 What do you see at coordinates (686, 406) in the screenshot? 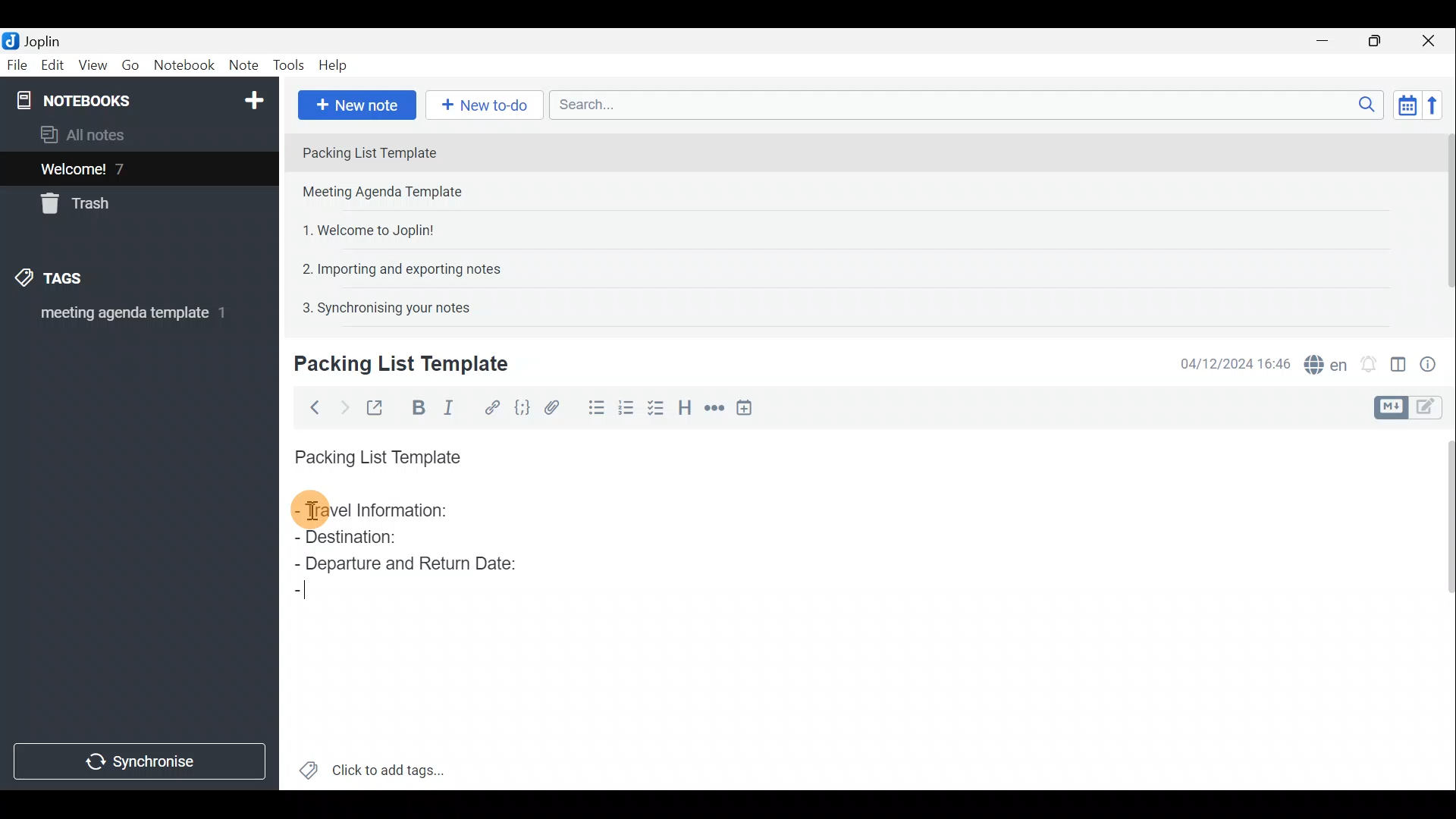
I see `Heading` at bounding box center [686, 406].